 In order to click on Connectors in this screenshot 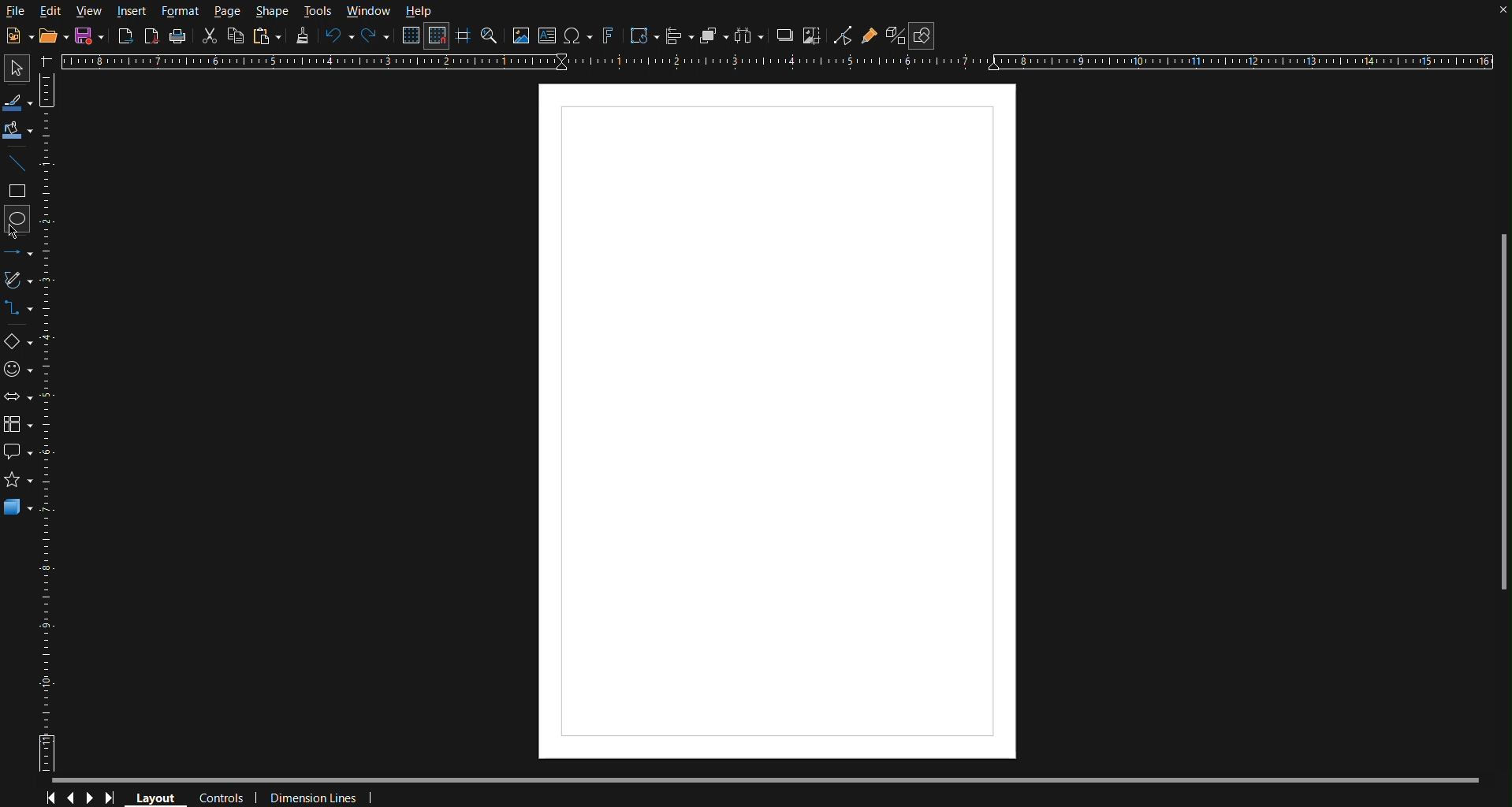, I will do `click(20, 308)`.